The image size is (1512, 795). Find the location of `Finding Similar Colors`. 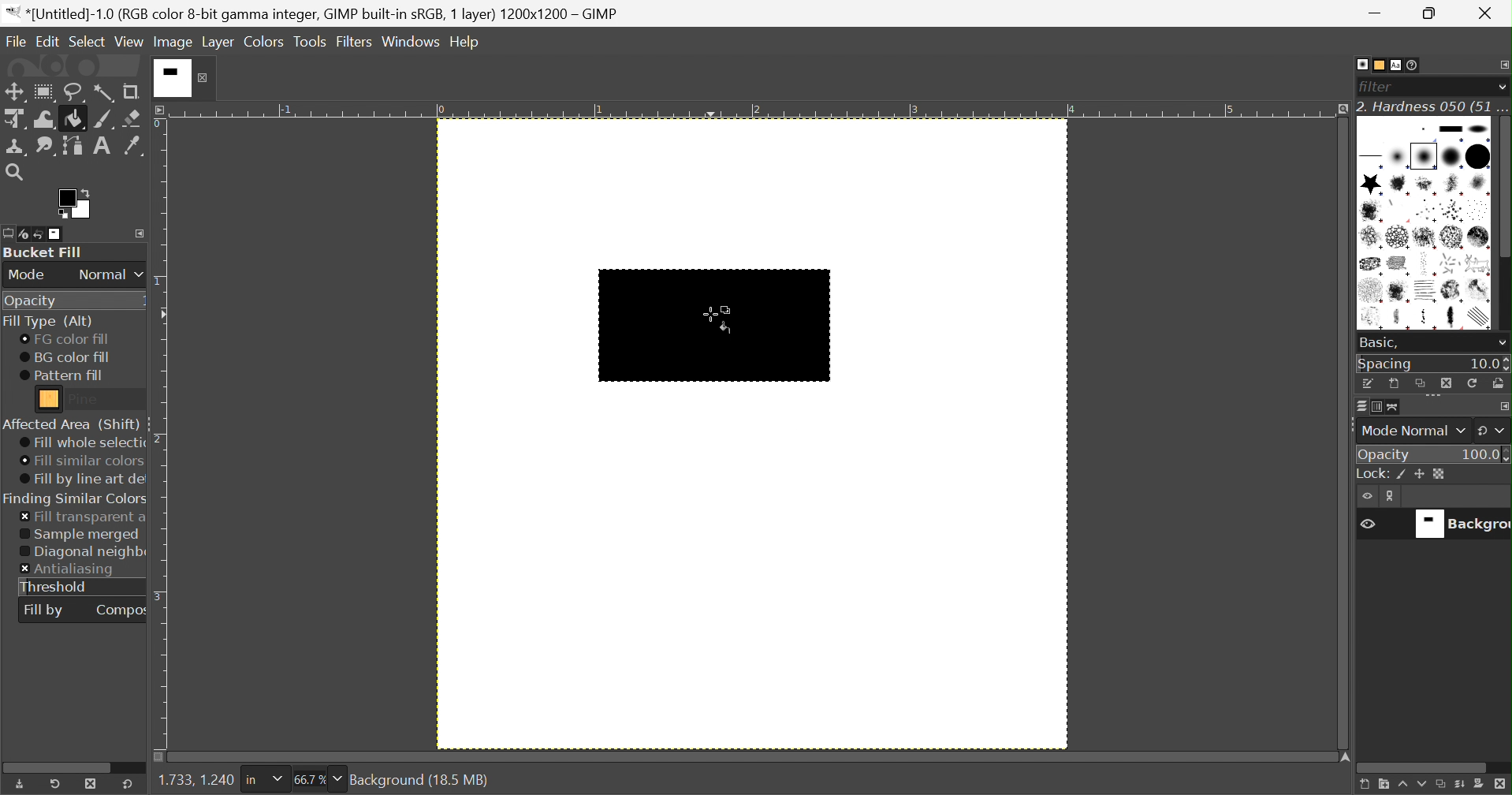

Finding Similar Colors is located at coordinates (76, 499).